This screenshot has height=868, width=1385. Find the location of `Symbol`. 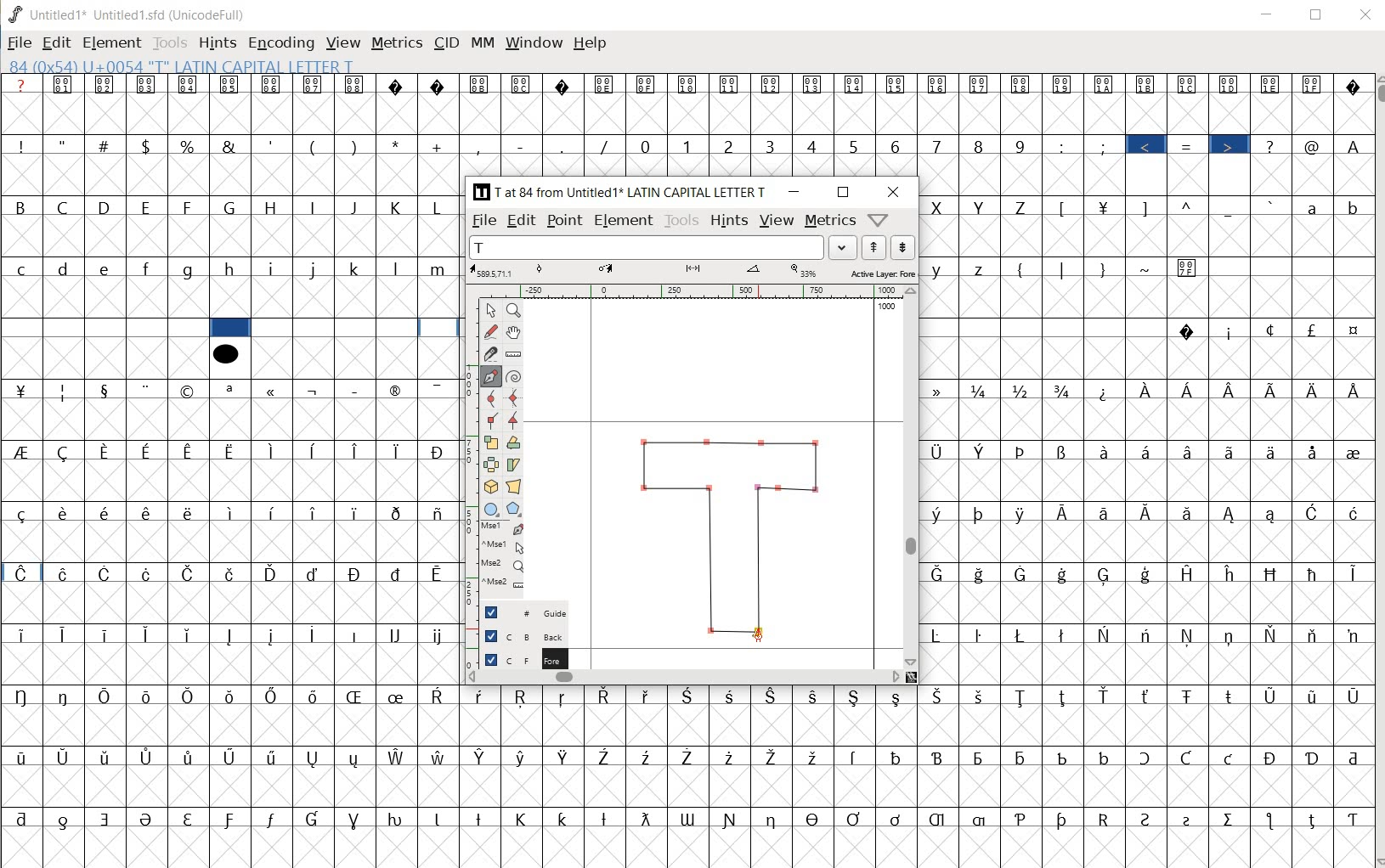

Symbol is located at coordinates (274, 636).